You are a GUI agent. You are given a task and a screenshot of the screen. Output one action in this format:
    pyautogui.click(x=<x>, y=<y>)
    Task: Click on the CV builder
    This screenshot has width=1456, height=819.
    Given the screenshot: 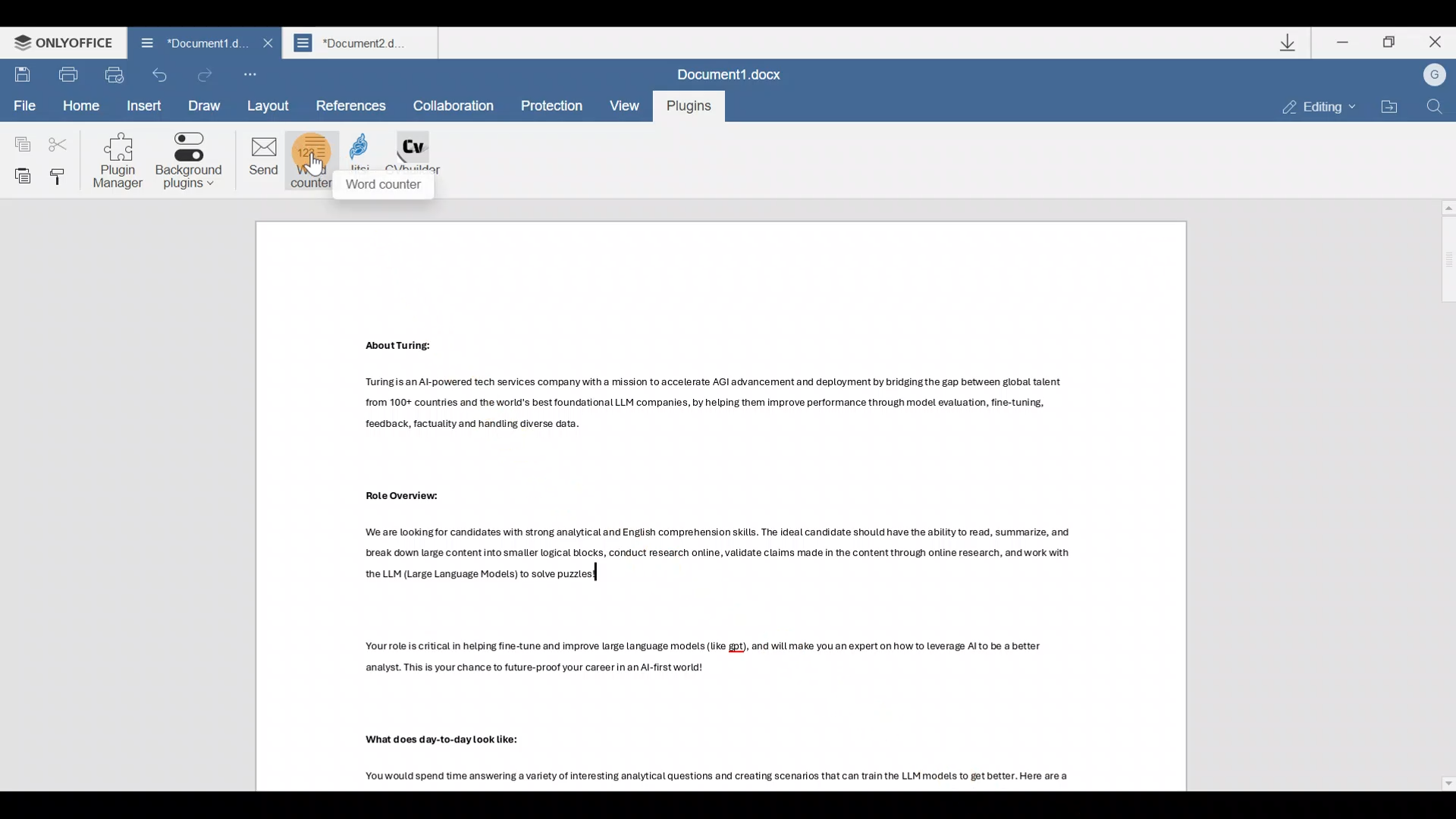 What is the action you would take?
    pyautogui.click(x=422, y=162)
    